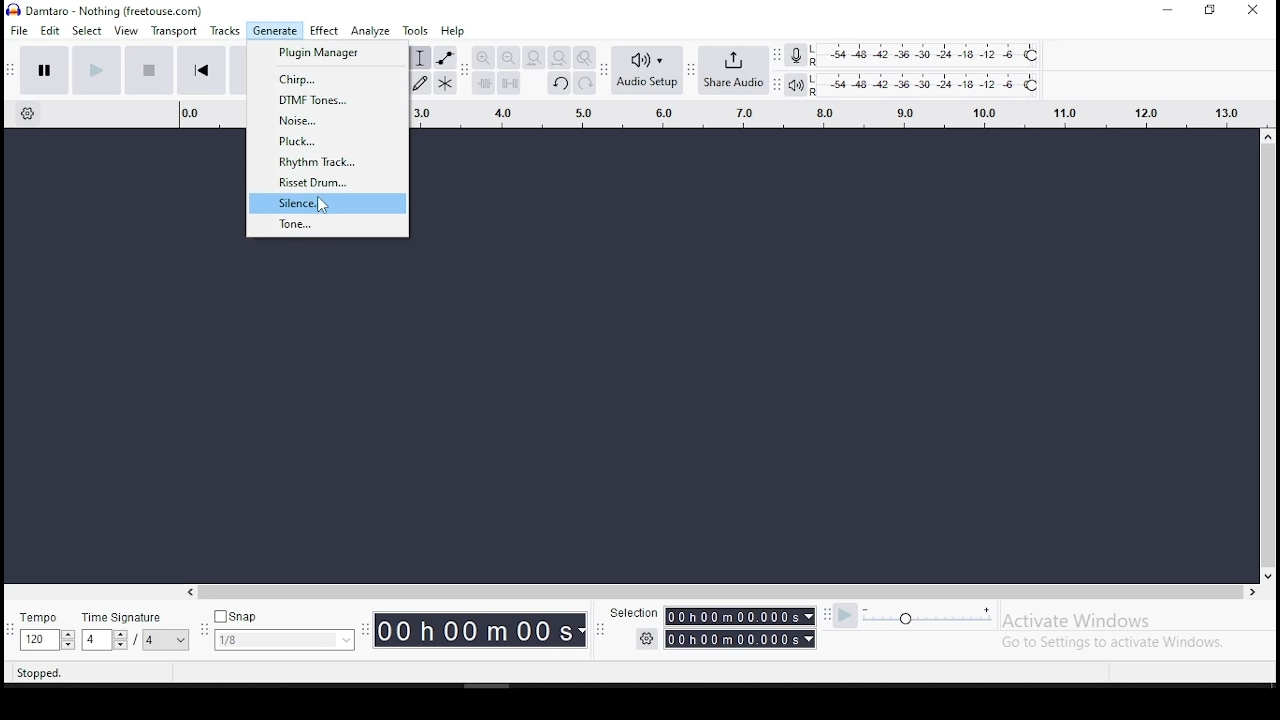 This screenshot has width=1280, height=720. What do you see at coordinates (647, 71) in the screenshot?
I see `audio setup` at bounding box center [647, 71].